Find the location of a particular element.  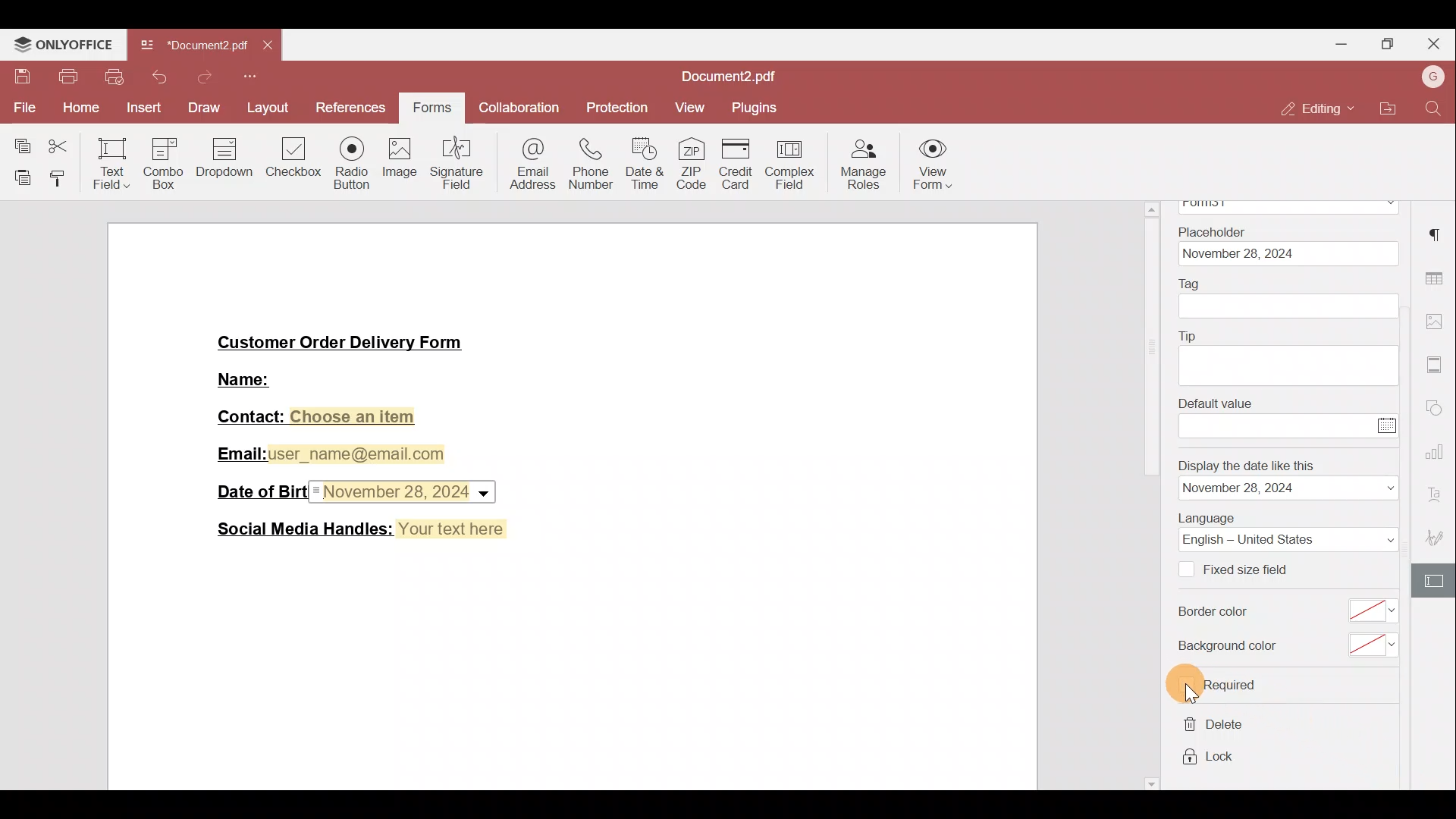

Close is located at coordinates (1434, 44).